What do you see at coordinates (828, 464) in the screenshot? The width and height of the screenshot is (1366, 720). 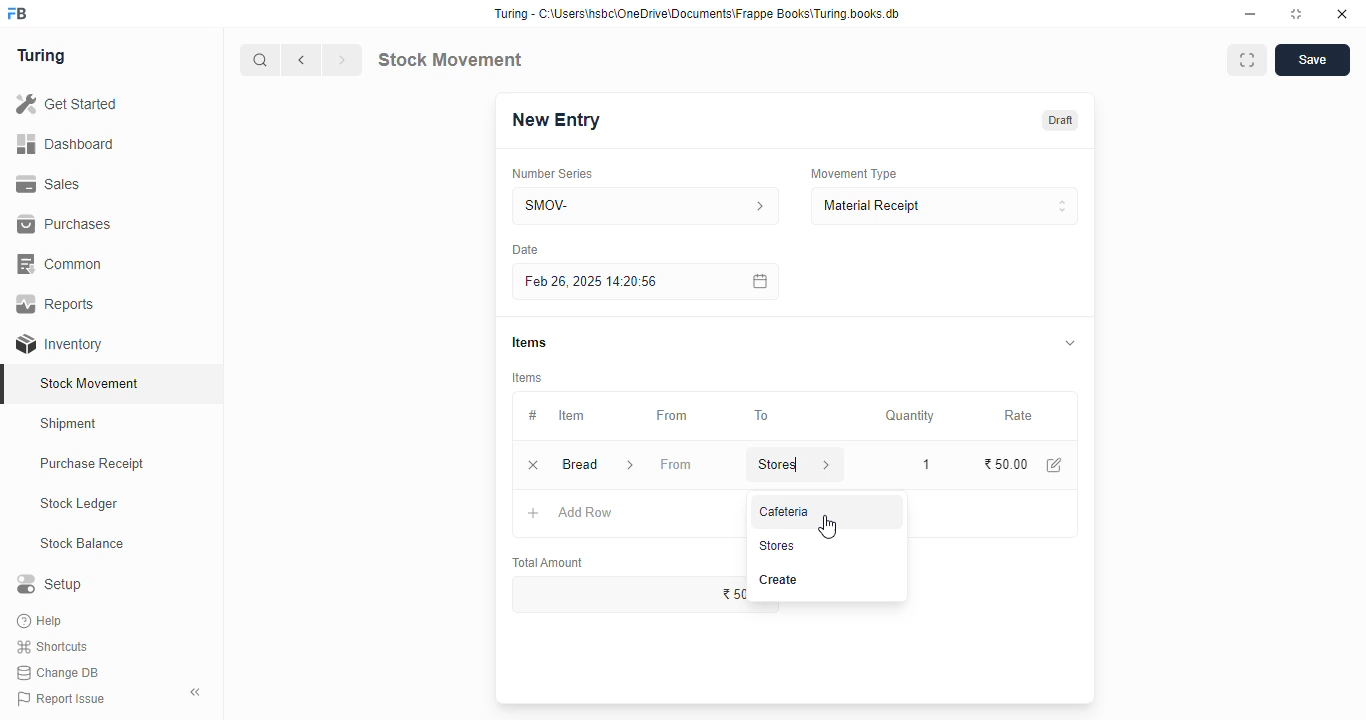 I see `store information` at bounding box center [828, 464].